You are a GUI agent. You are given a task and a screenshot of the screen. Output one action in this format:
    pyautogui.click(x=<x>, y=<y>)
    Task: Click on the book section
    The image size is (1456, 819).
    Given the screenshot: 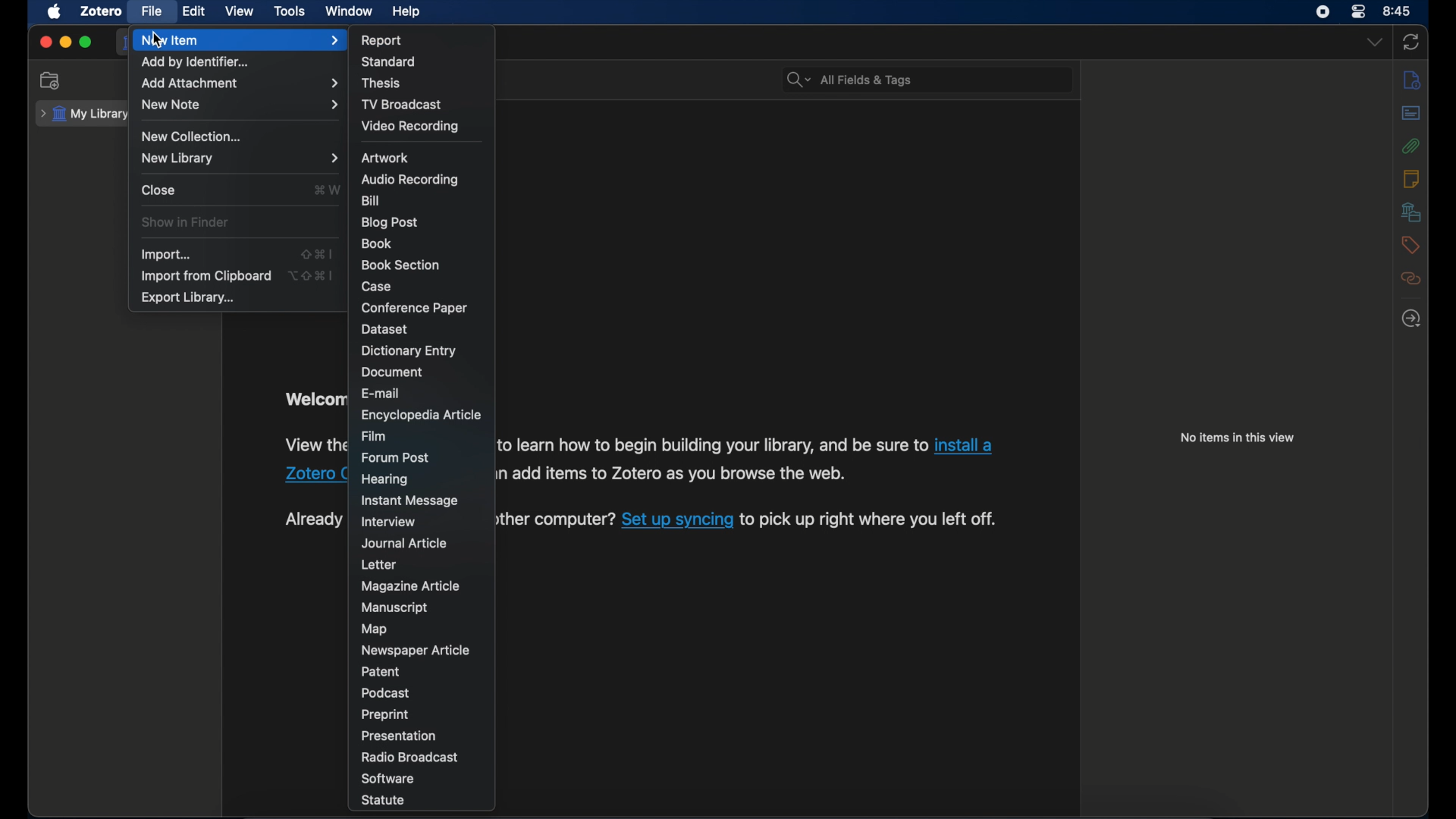 What is the action you would take?
    pyautogui.click(x=400, y=265)
    